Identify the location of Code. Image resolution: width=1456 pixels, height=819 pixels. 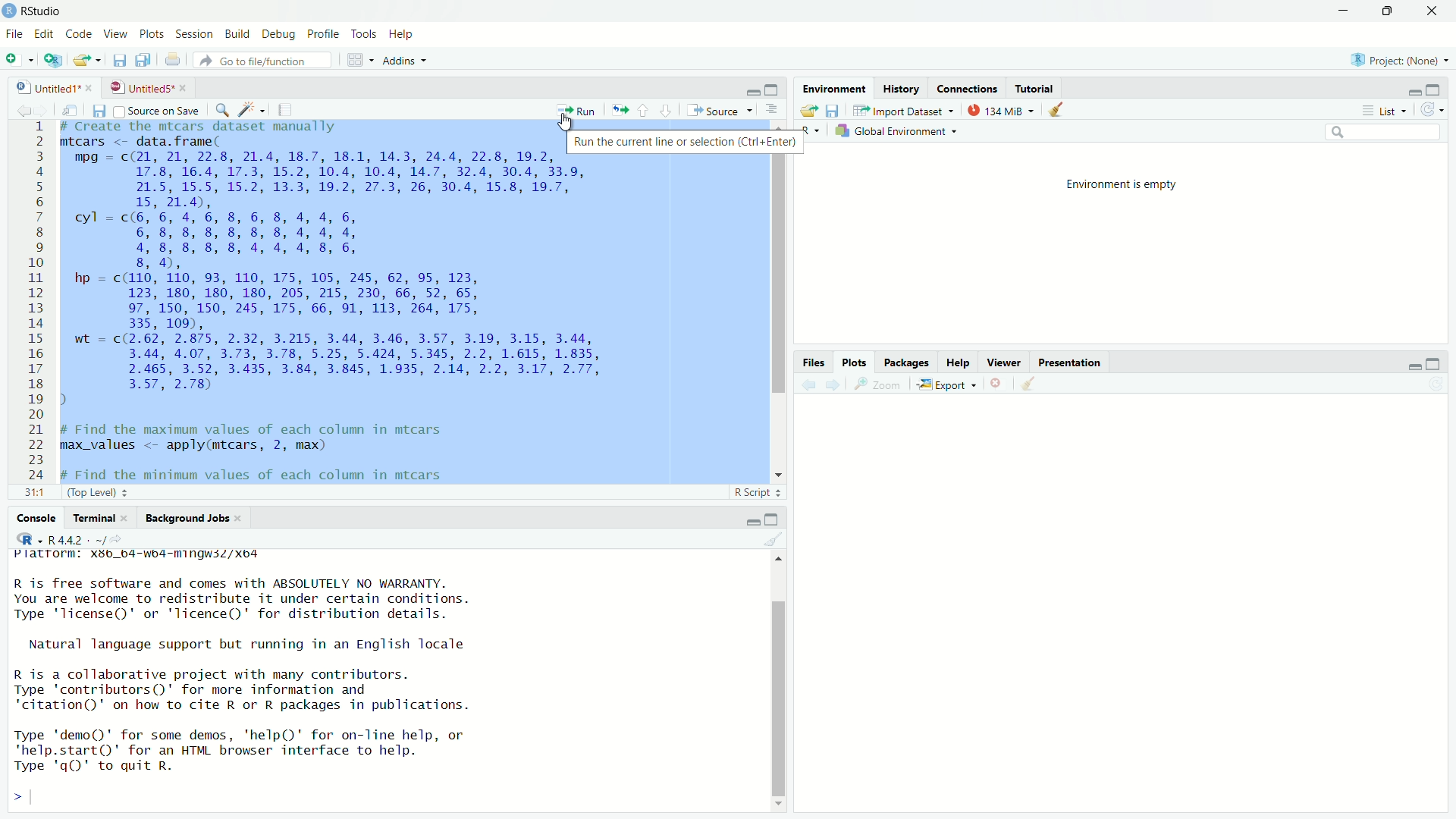
(80, 34).